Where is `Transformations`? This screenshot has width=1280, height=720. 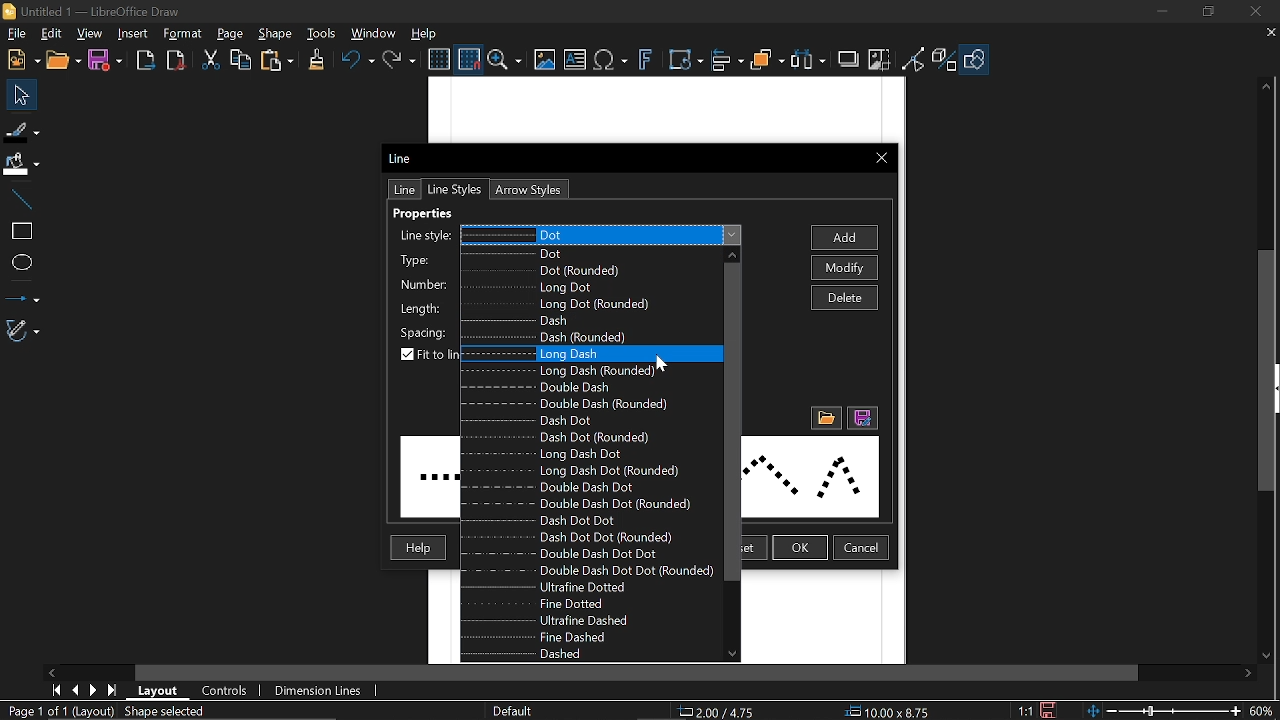
Transformations is located at coordinates (687, 61).